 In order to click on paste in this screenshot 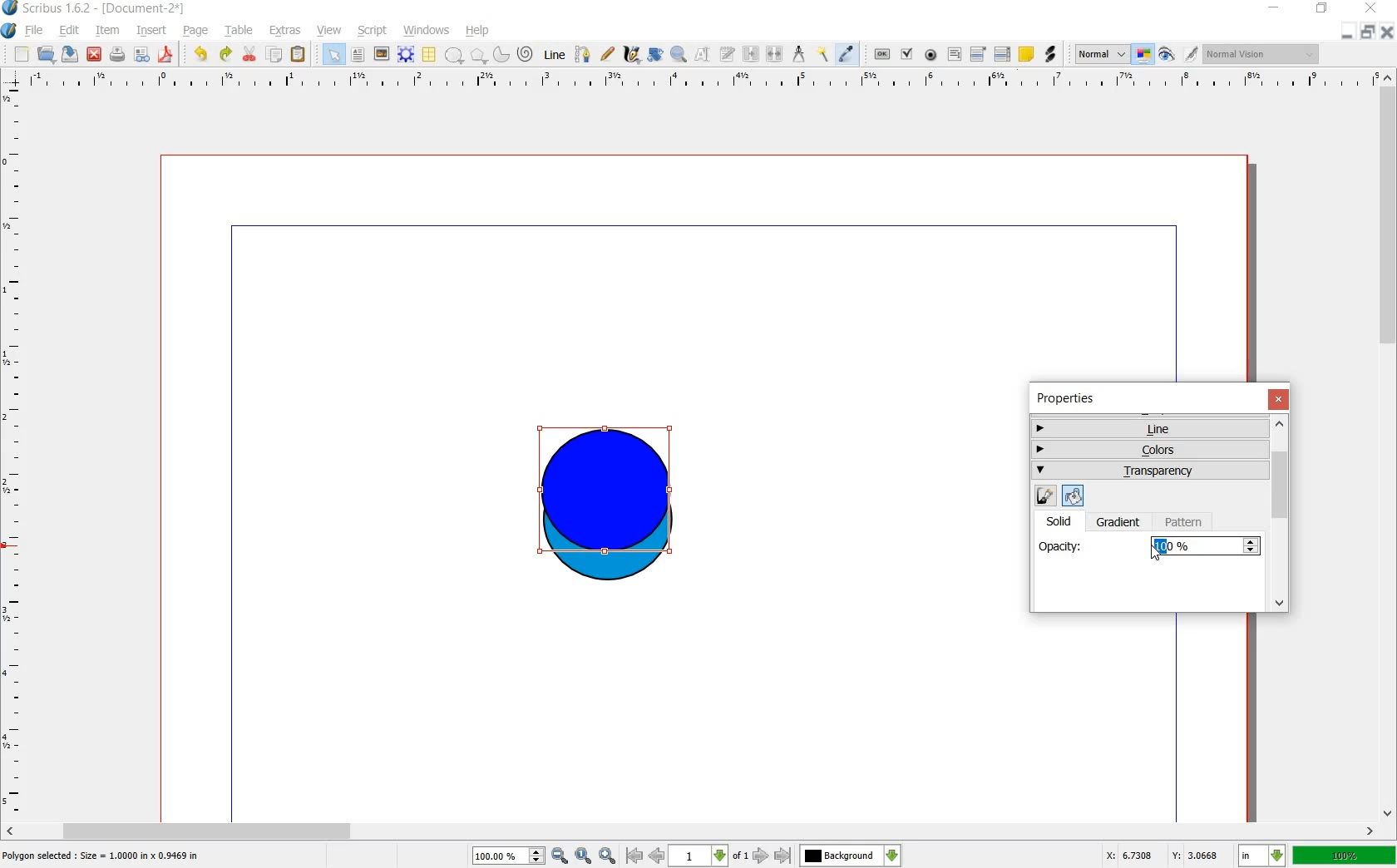, I will do `click(298, 54)`.